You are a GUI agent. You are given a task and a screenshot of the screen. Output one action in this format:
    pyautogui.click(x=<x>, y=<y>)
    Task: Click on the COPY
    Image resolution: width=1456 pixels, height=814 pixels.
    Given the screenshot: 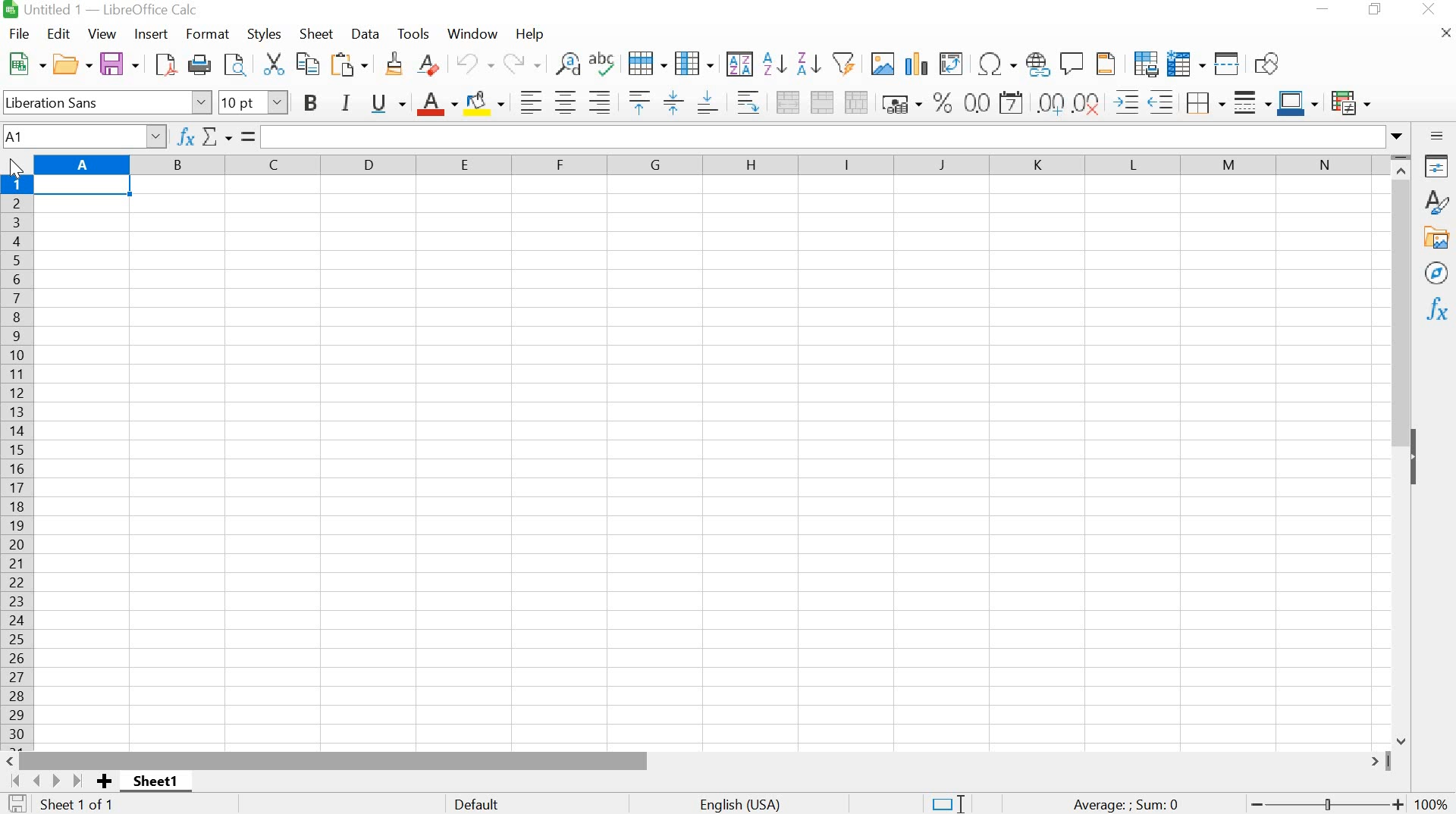 What is the action you would take?
    pyautogui.click(x=306, y=64)
    